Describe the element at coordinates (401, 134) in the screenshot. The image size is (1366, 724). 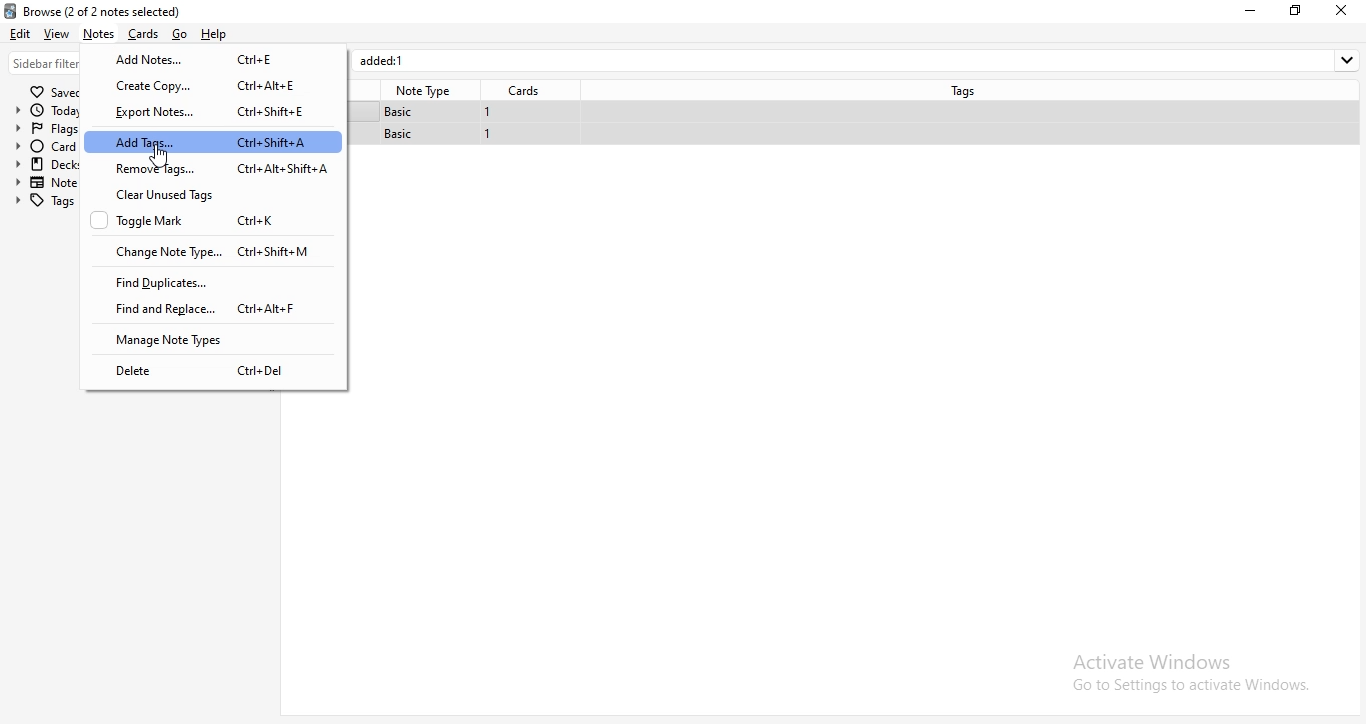
I see `basic` at that location.